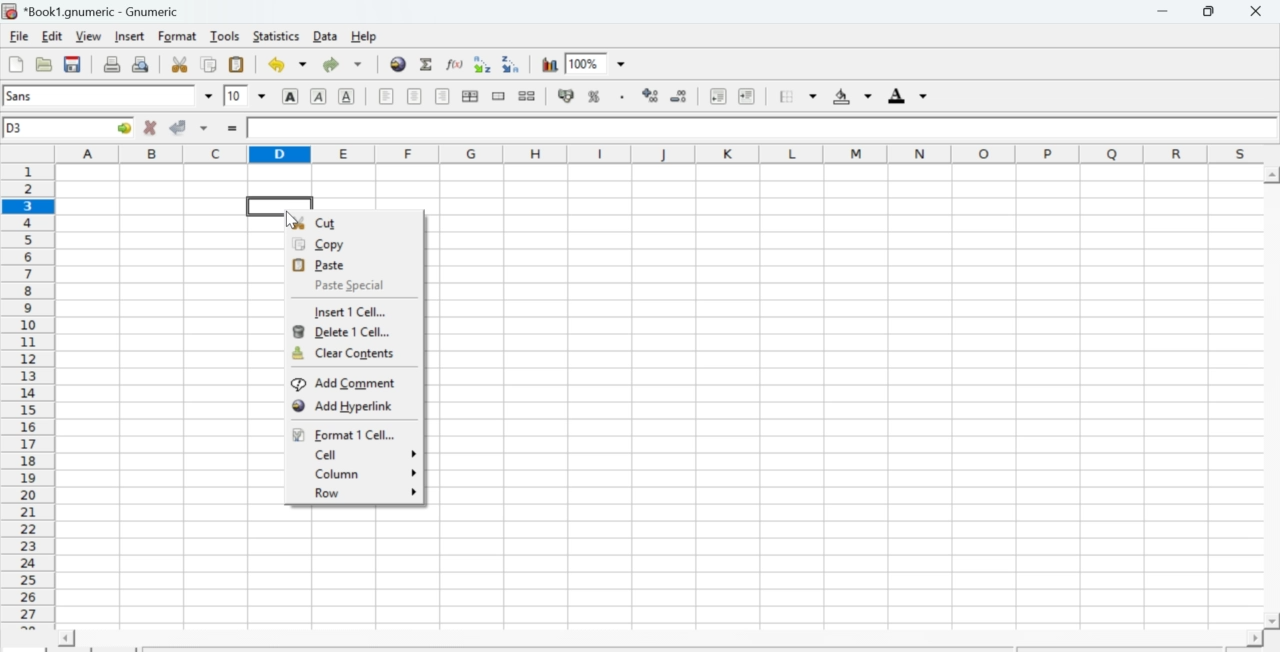 This screenshot has height=652, width=1280. Describe the element at coordinates (64, 638) in the screenshot. I see `scroll left` at that location.